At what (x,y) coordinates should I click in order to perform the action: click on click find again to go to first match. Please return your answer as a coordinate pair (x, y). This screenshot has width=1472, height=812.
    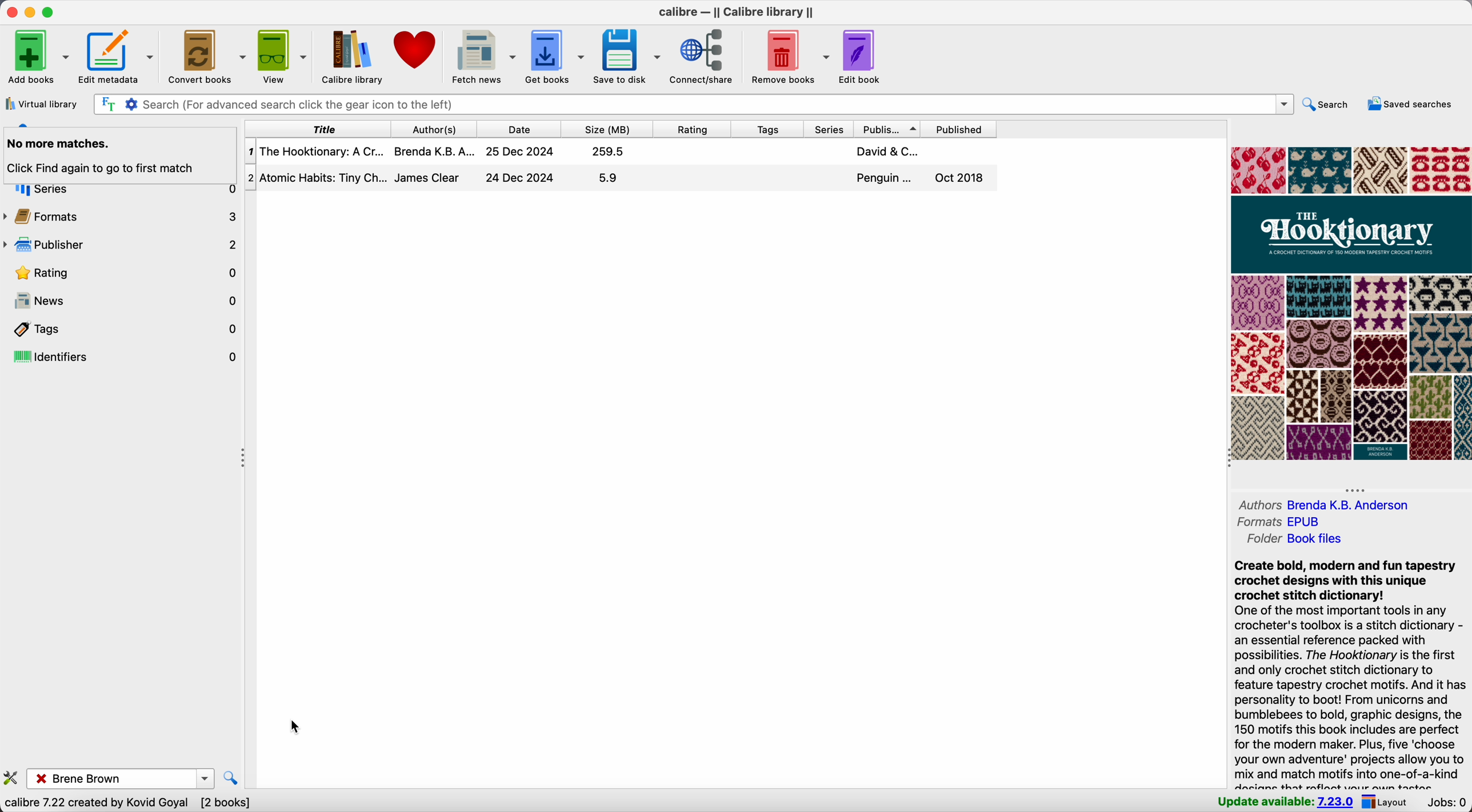
    Looking at the image, I should click on (114, 169).